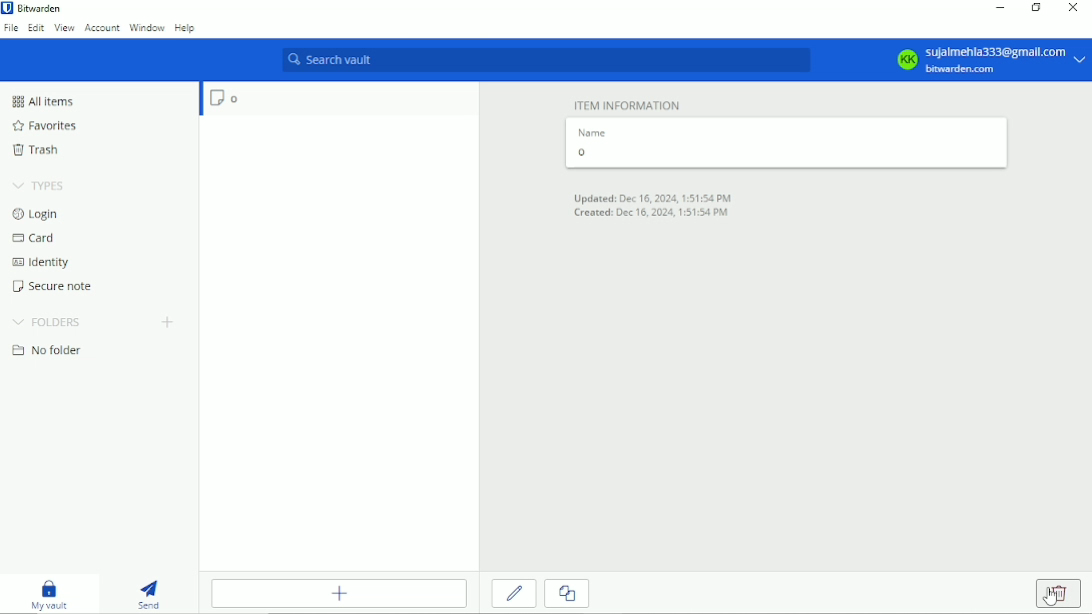  What do you see at coordinates (101, 29) in the screenshot?
I see `Account` at bounding box center [101, 29].